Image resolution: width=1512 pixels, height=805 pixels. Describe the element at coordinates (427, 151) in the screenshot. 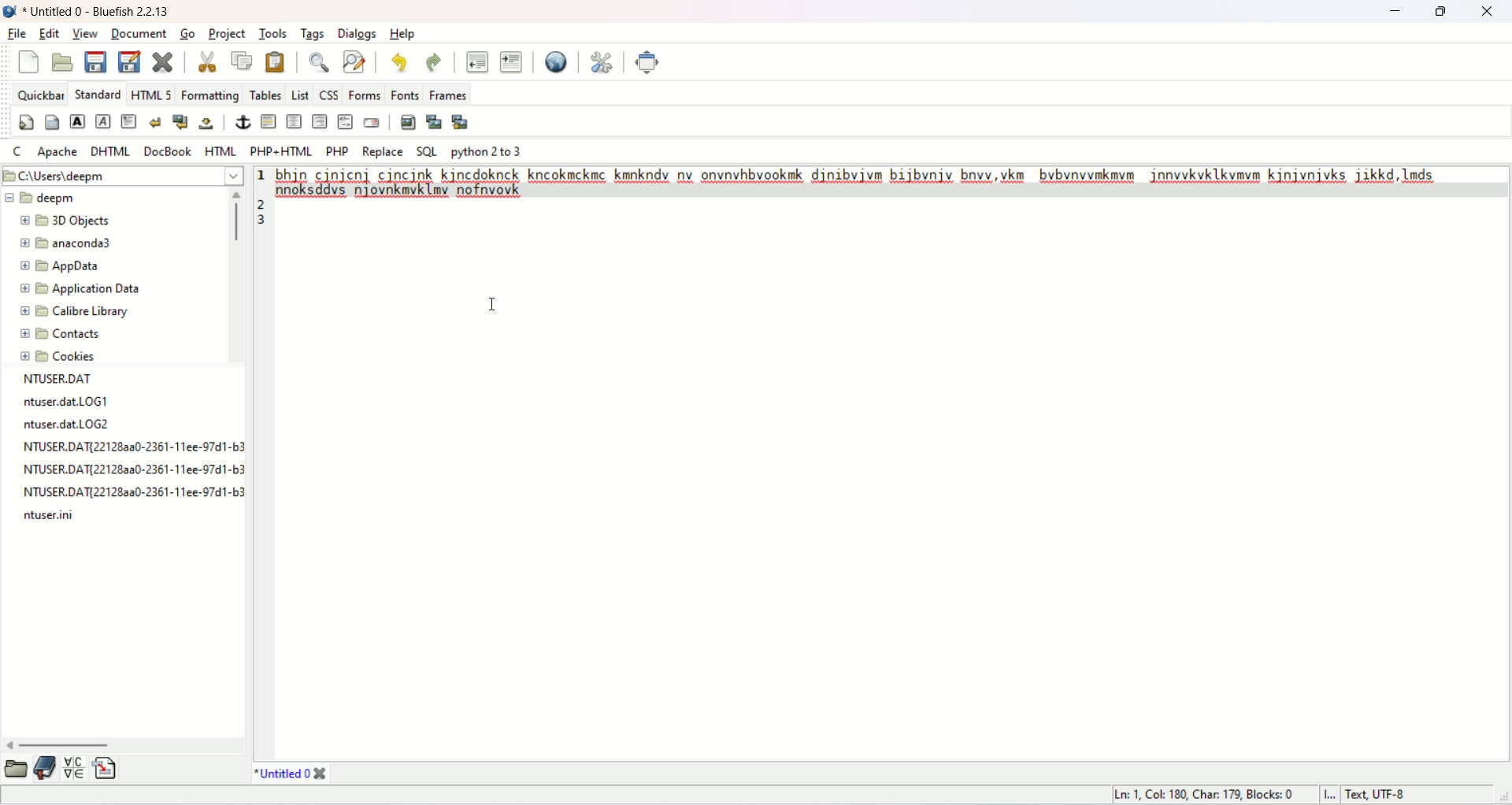

I see `SQL` at that location.